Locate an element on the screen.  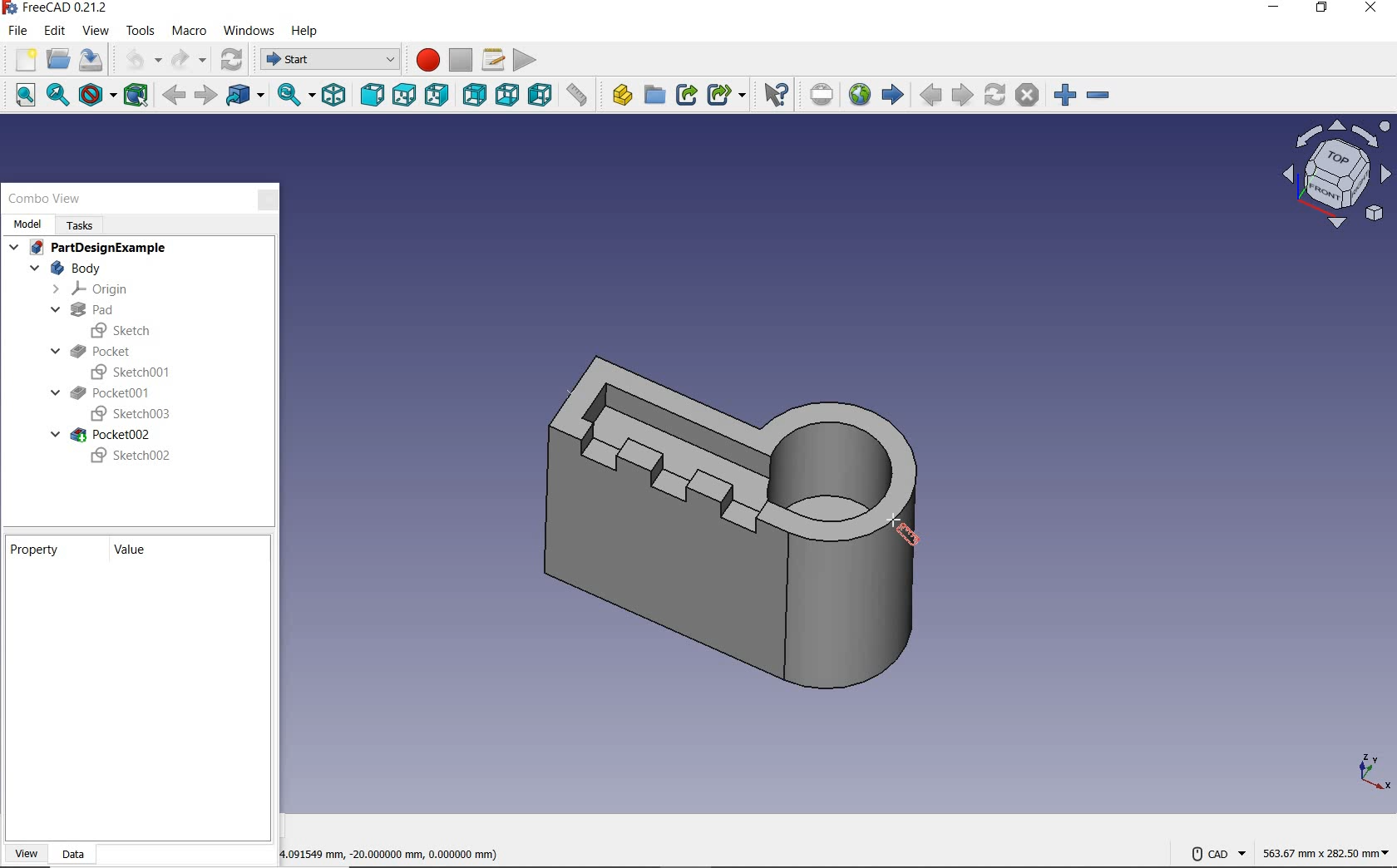
draw style is located at coordinates (96, 96).